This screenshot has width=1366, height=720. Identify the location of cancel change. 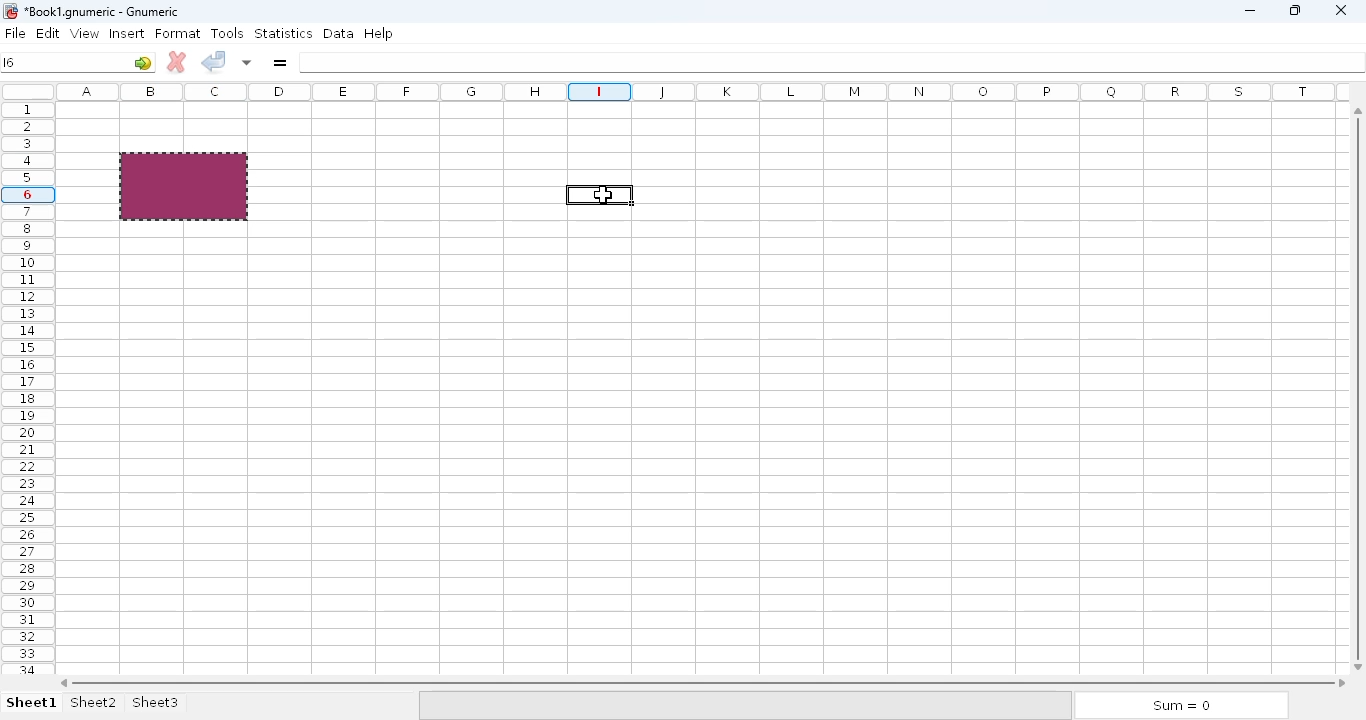
(176, 62).